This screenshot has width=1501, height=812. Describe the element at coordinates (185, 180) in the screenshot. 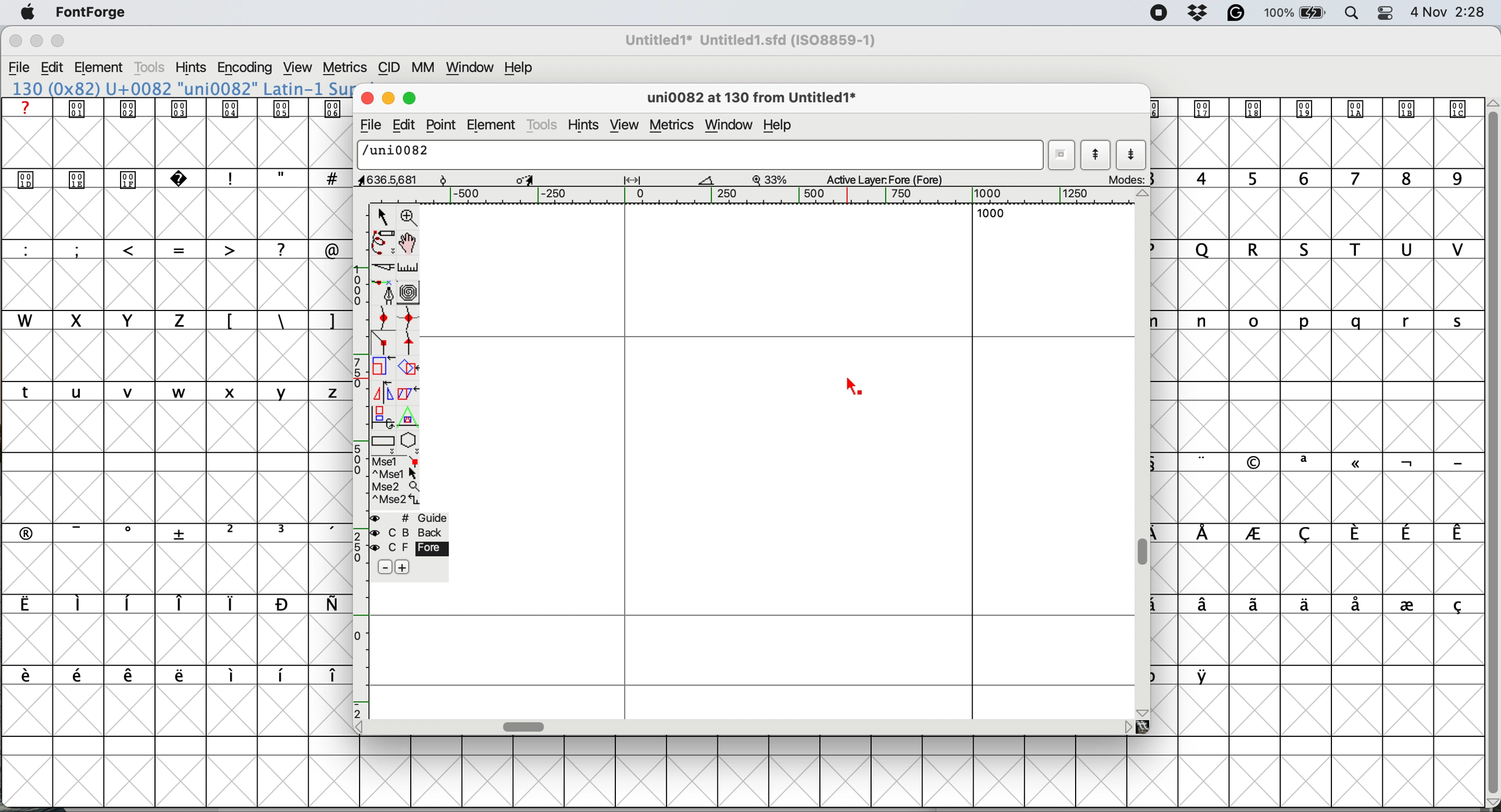

I see `symbols and special characters` at that location.